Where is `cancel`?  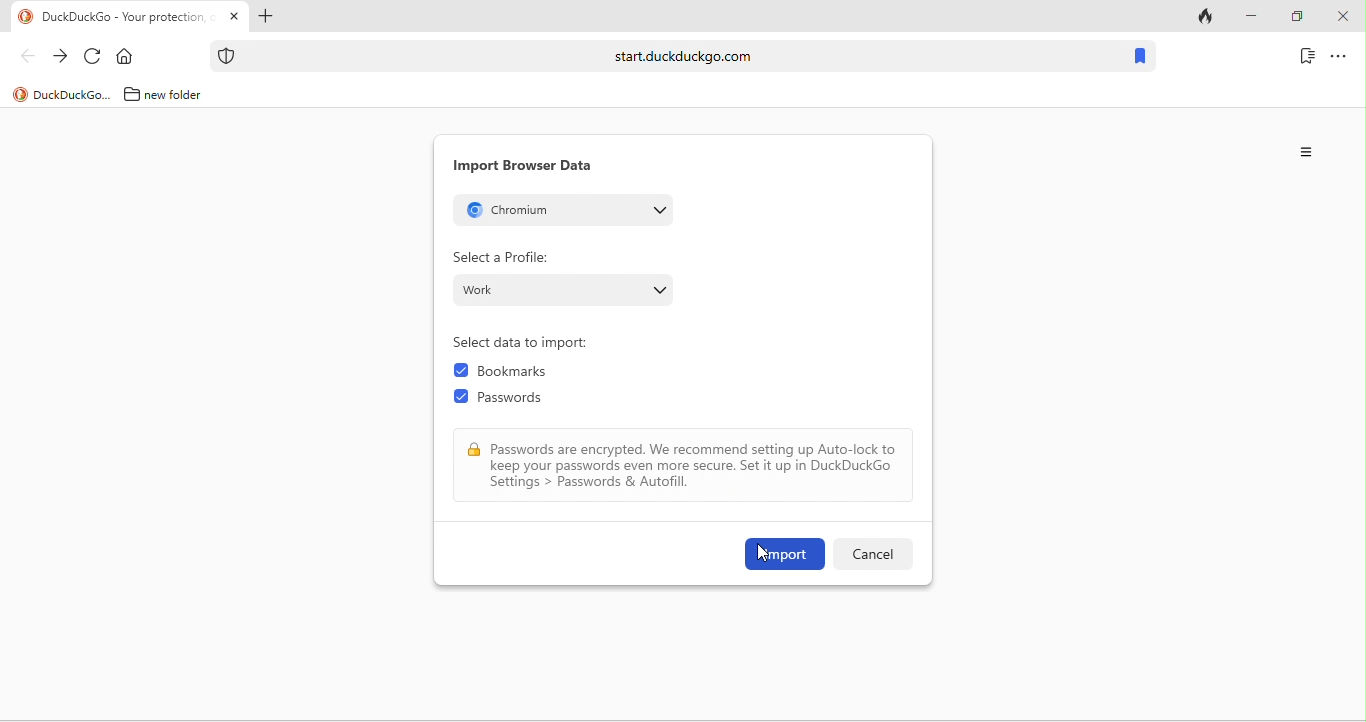
cancel is located at coordinates (871, 554).